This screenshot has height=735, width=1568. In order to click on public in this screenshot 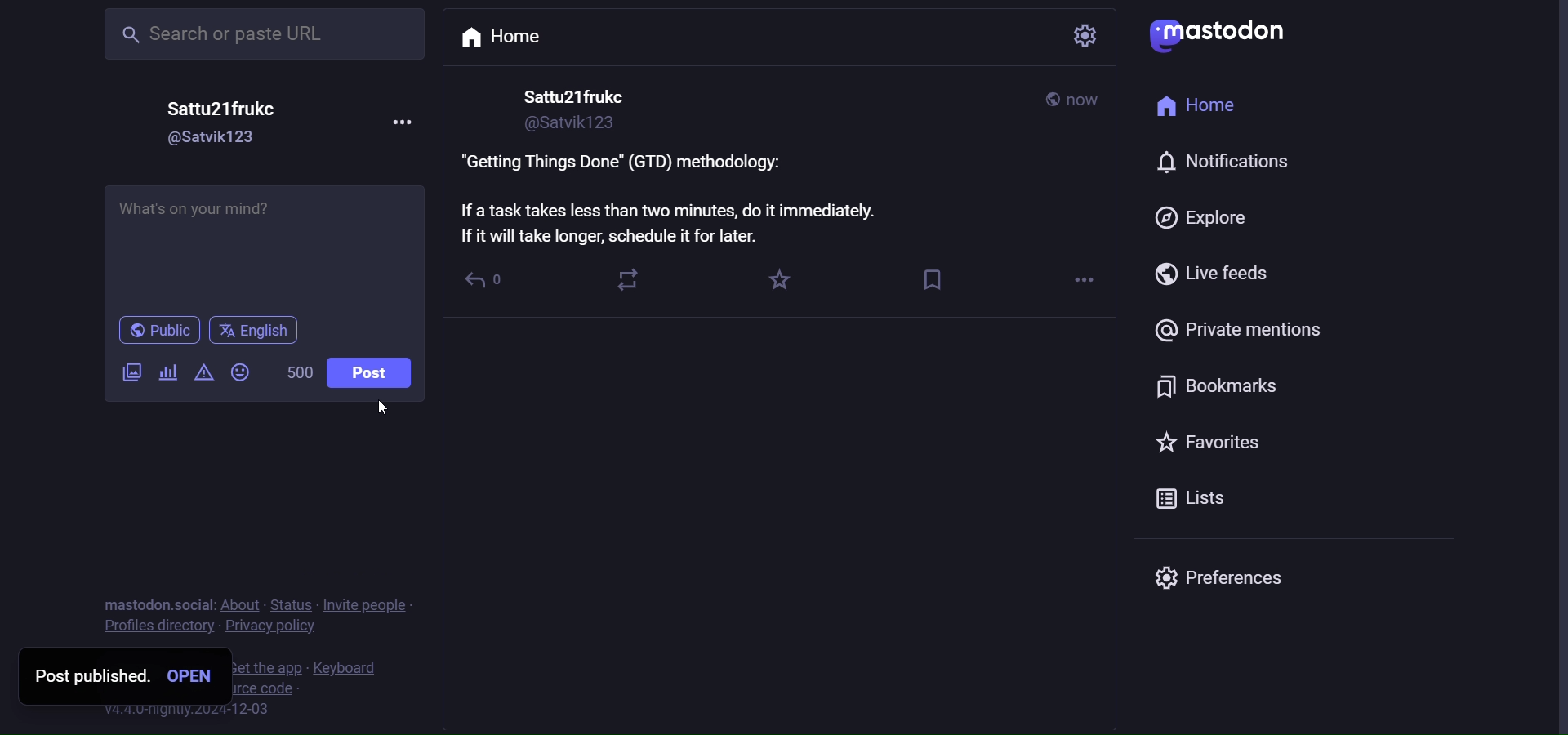, I will do `click(1051, 101)`.